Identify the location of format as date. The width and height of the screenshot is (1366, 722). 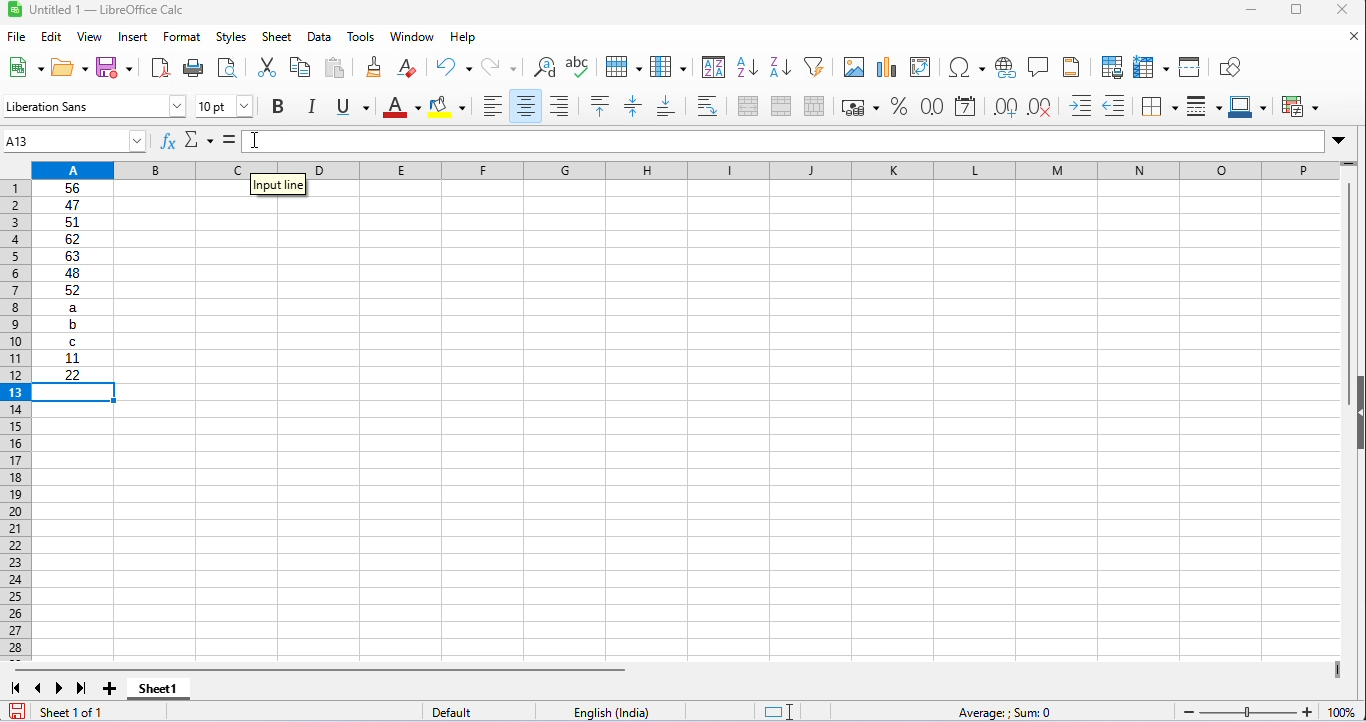
(966, 106).